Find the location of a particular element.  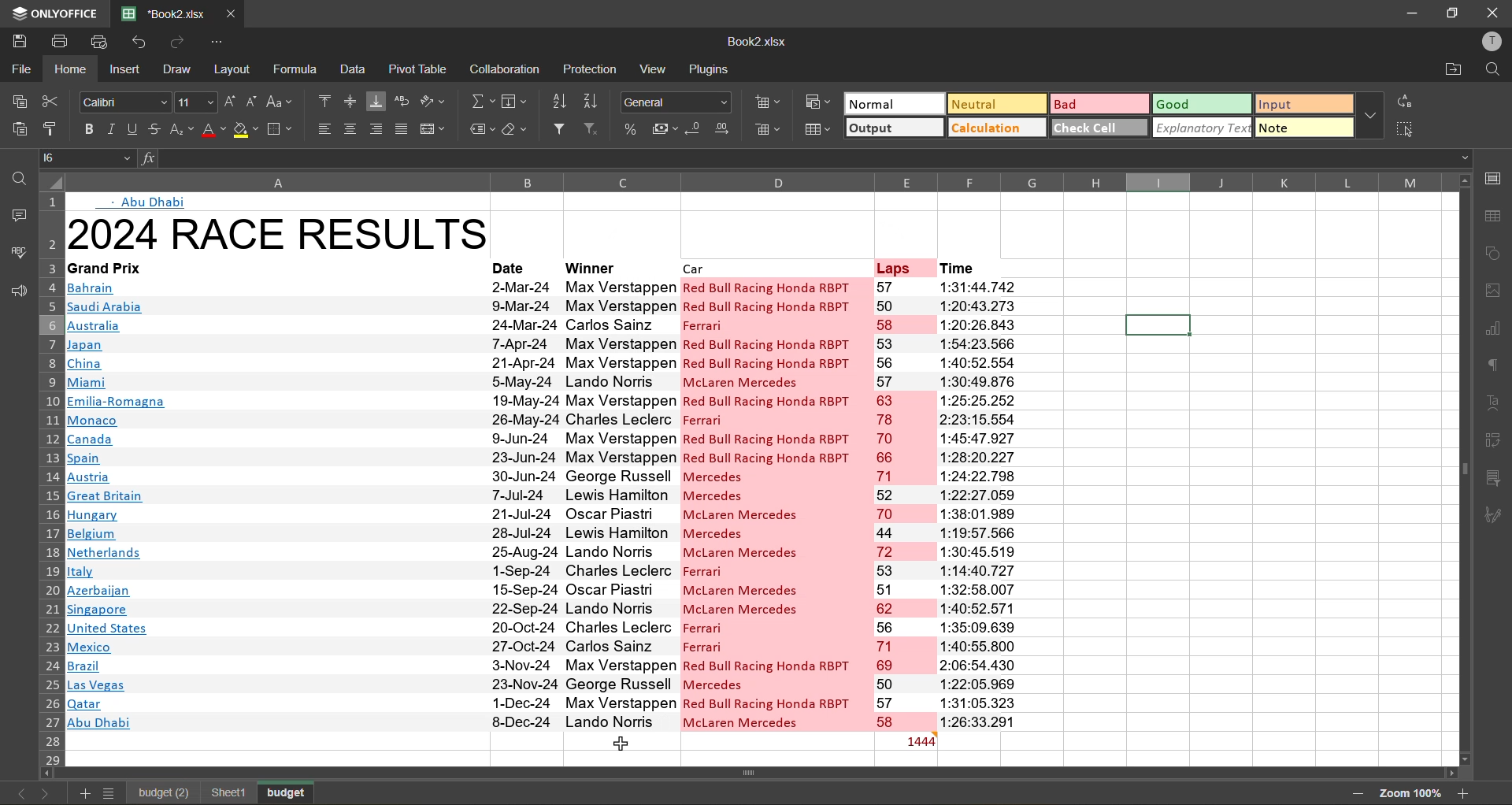

cut is located at coordinates (52, 101).